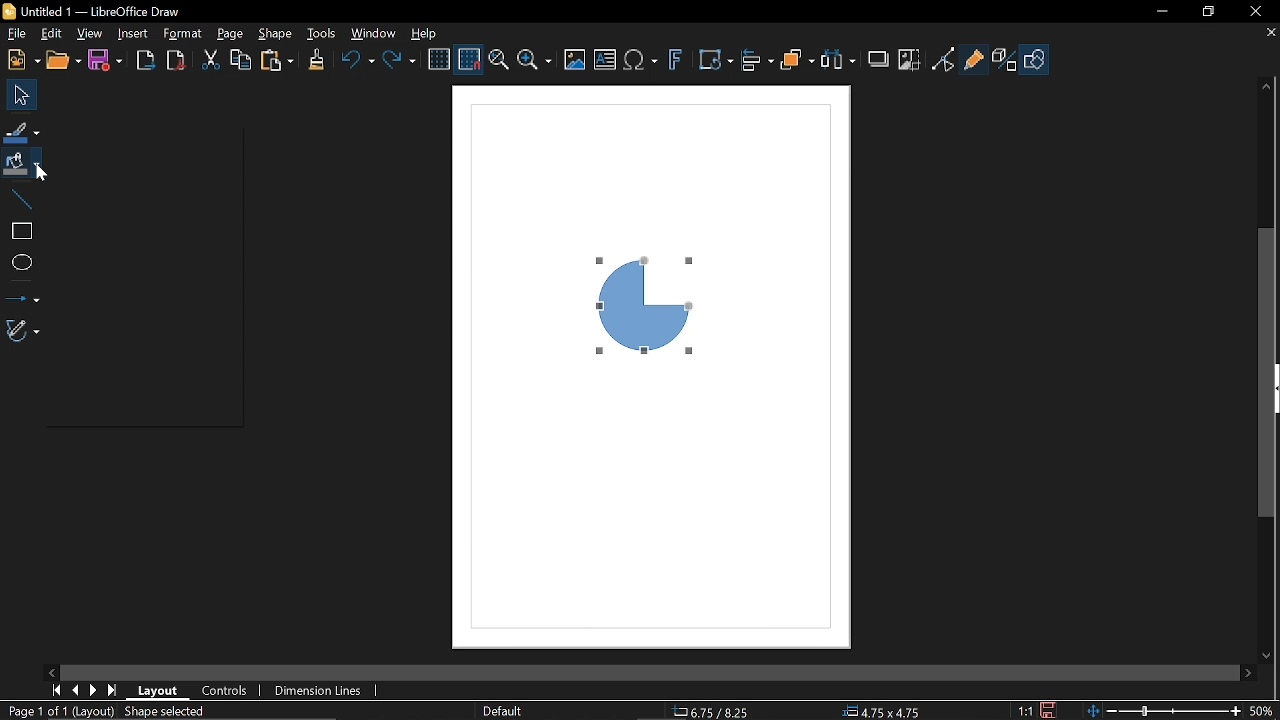 This screenshot has height=720, width=1280. What do you see at coordinates (974, 57) in the screenshot?
I see `Glue` at bounding box center [974, 57].